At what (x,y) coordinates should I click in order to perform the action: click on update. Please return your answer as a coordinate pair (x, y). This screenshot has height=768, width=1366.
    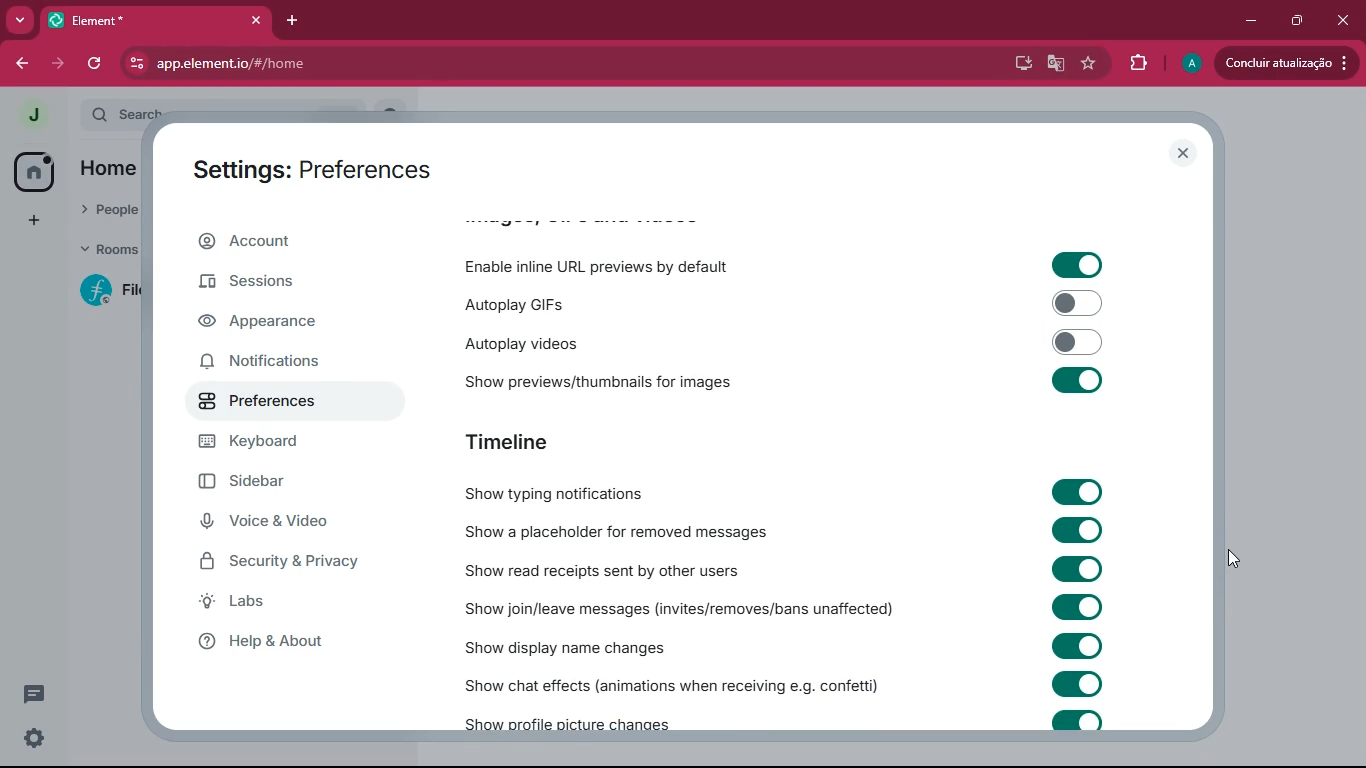
    Looking at the image, I should click on (1287, 63).